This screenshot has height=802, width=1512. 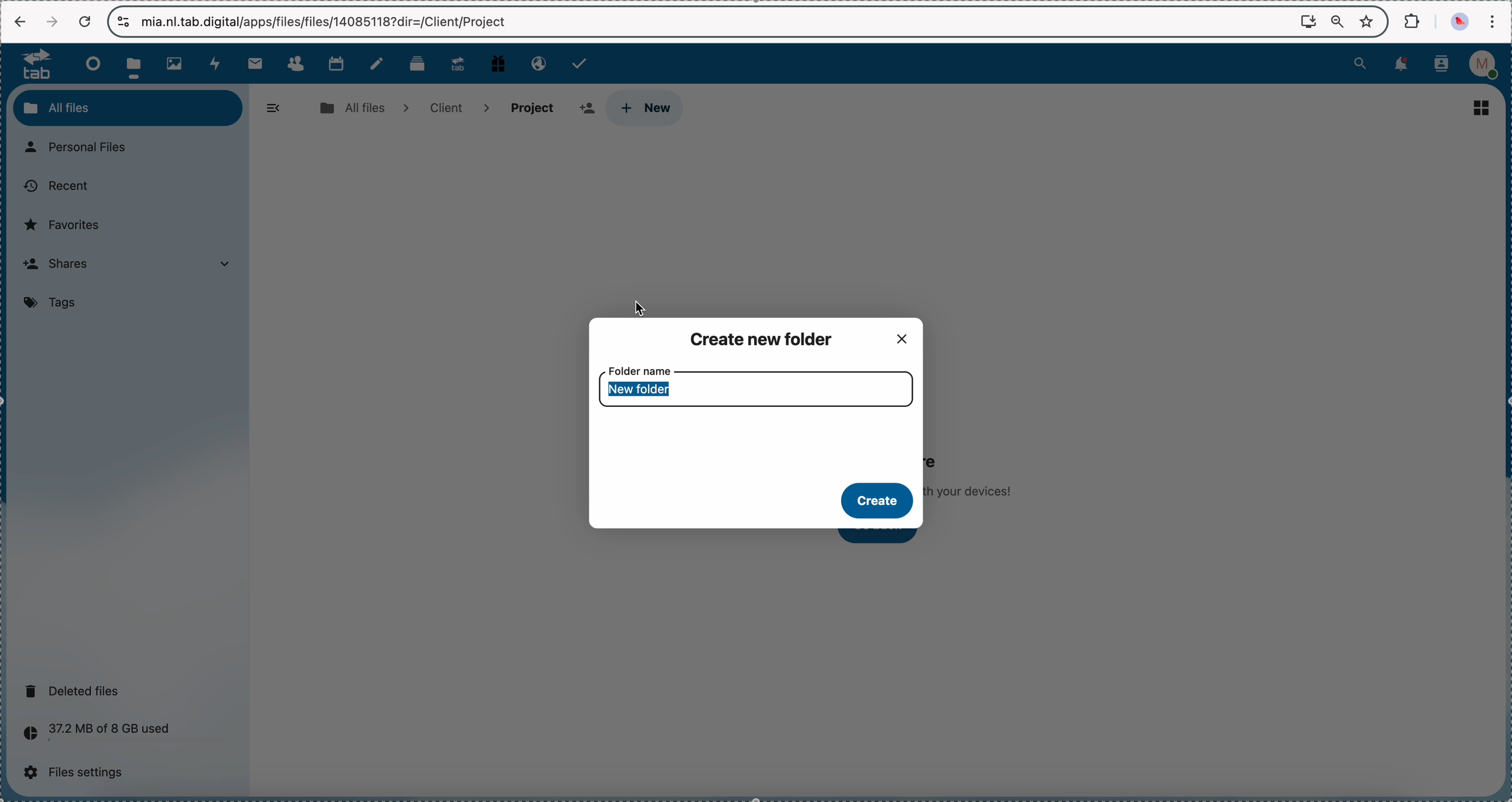 What do you see at coordinates (217, 63) in the screenshot?
I see `activity` at bounding box center [217, 63].